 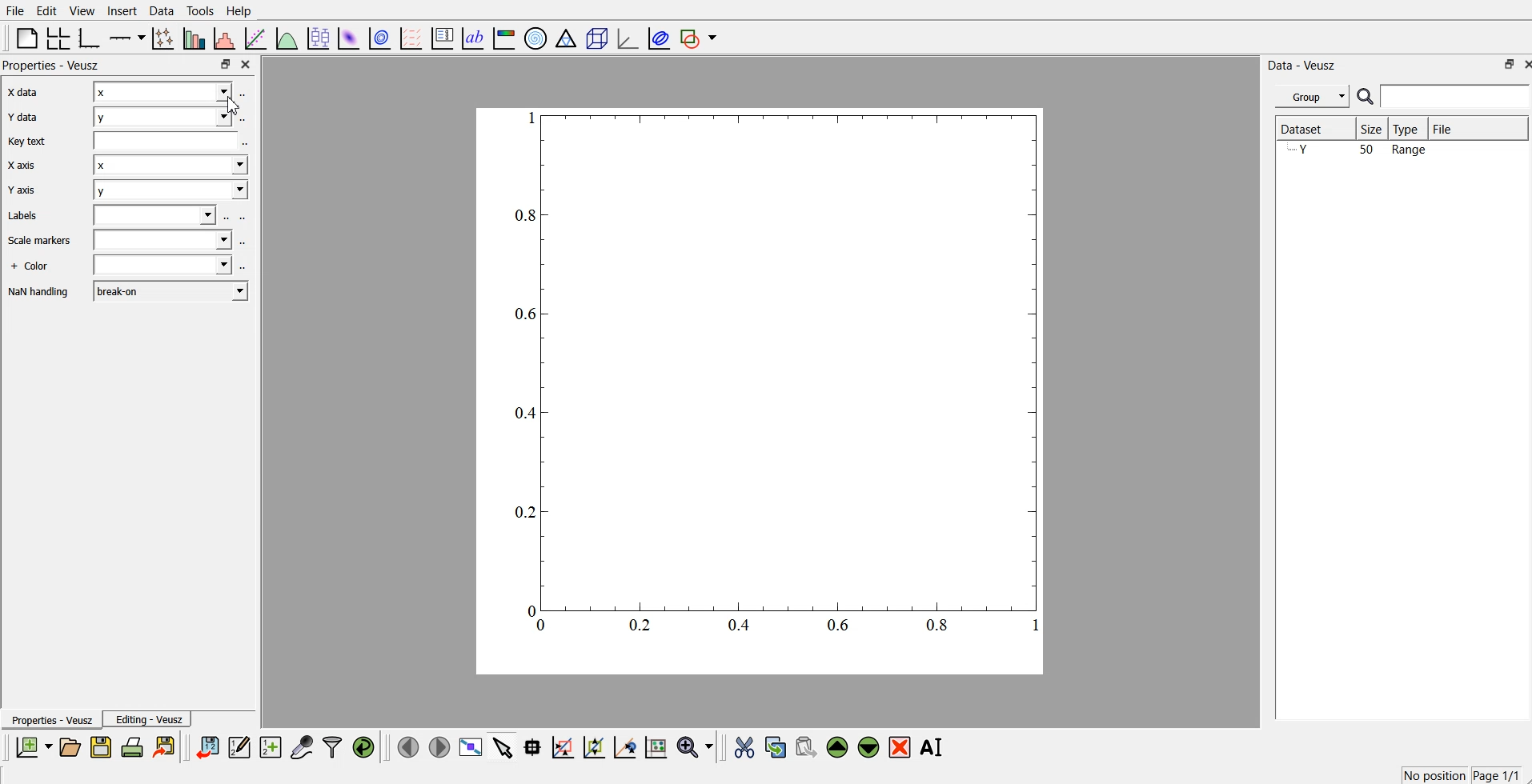 What do you see at coordinates (442, 37) in the screenshot?
I see `plot key` at bounding box center [442, 37].